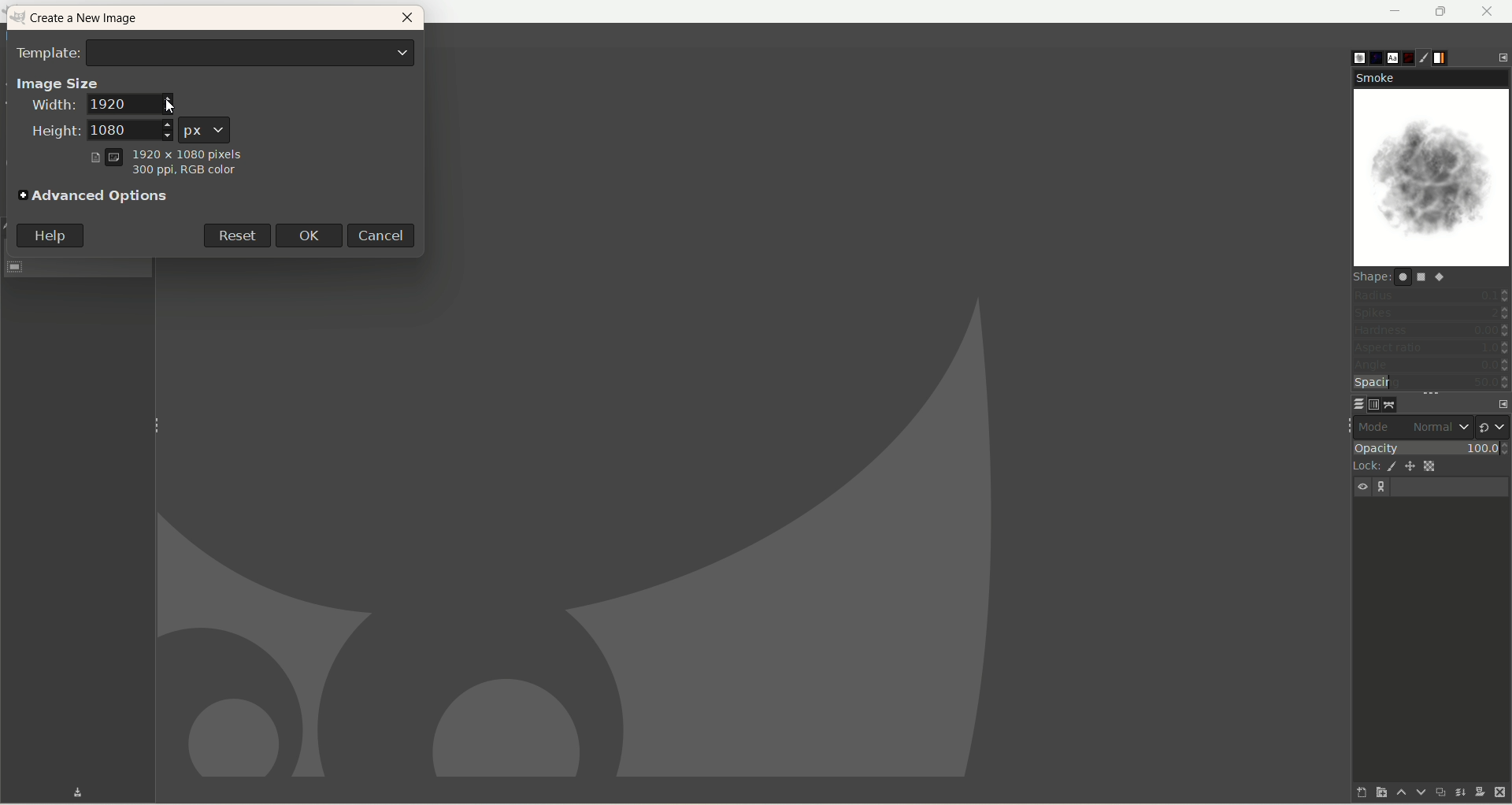 The image size is (1512, 805). What do you see at coordinates (182, 173) in the screenshot?
I see `color` at bounding box center [182, 173].